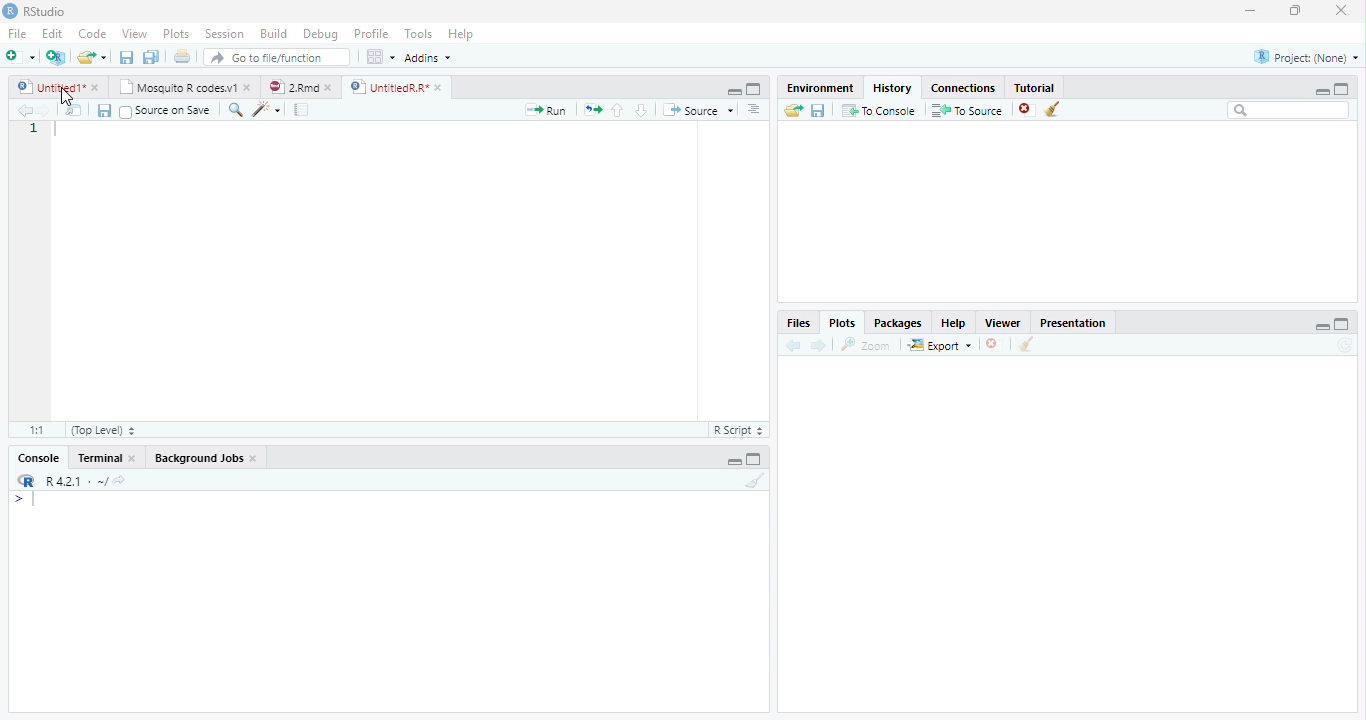  Describe the element at coordinates (866, 345) in the screenshot. I see `Zoom` at that location.